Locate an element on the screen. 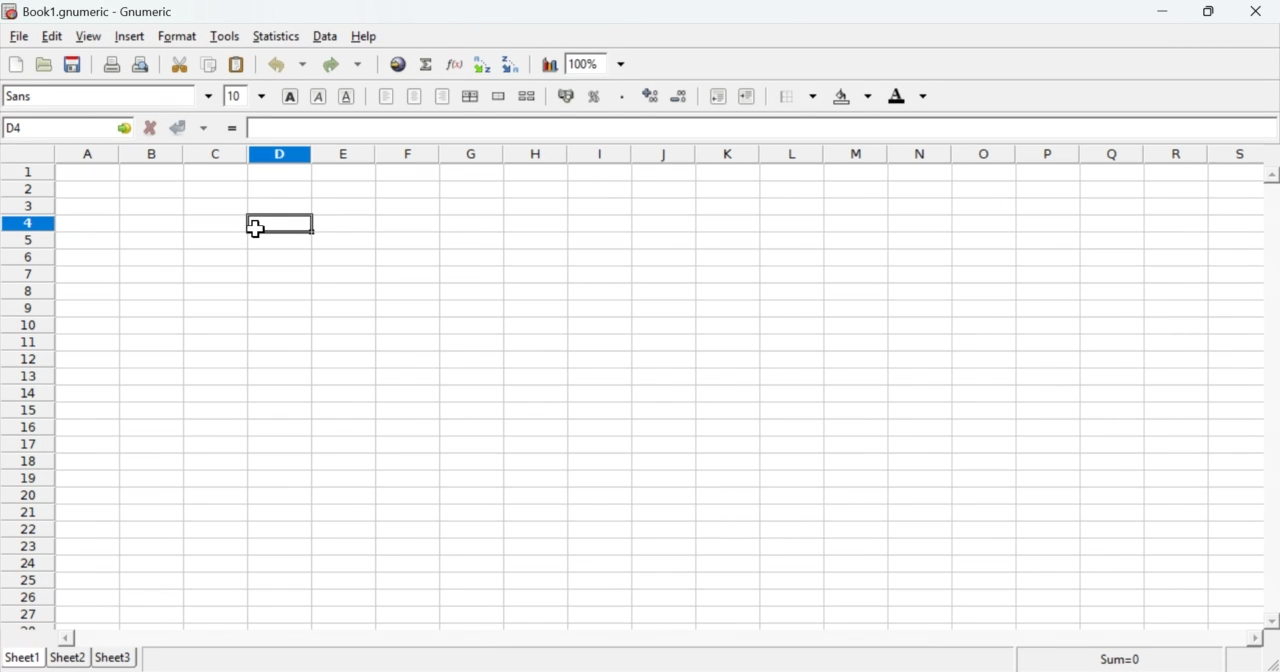  Sheet 2 is located at coordinates (70, 658).